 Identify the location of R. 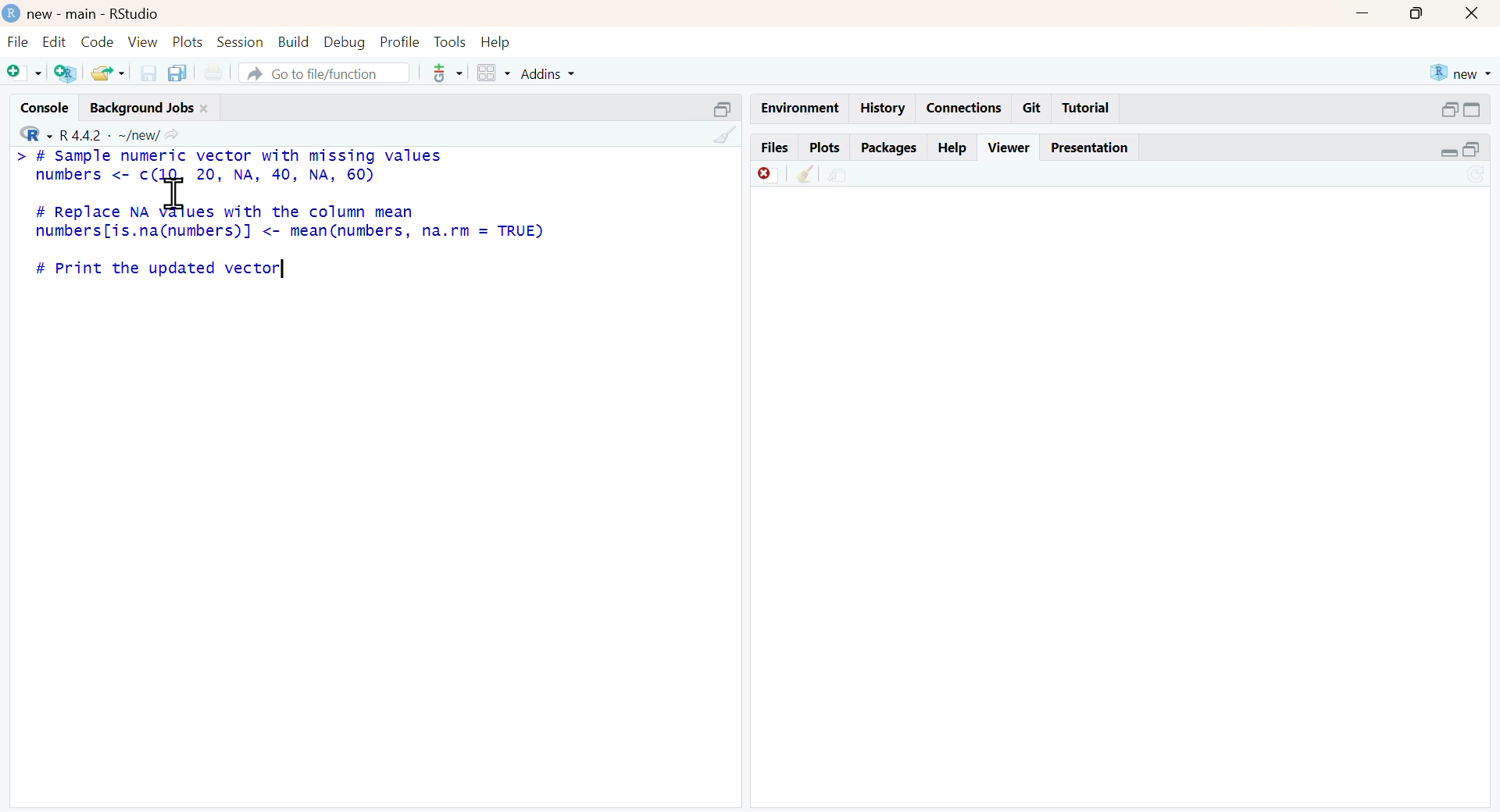
(37, 134).